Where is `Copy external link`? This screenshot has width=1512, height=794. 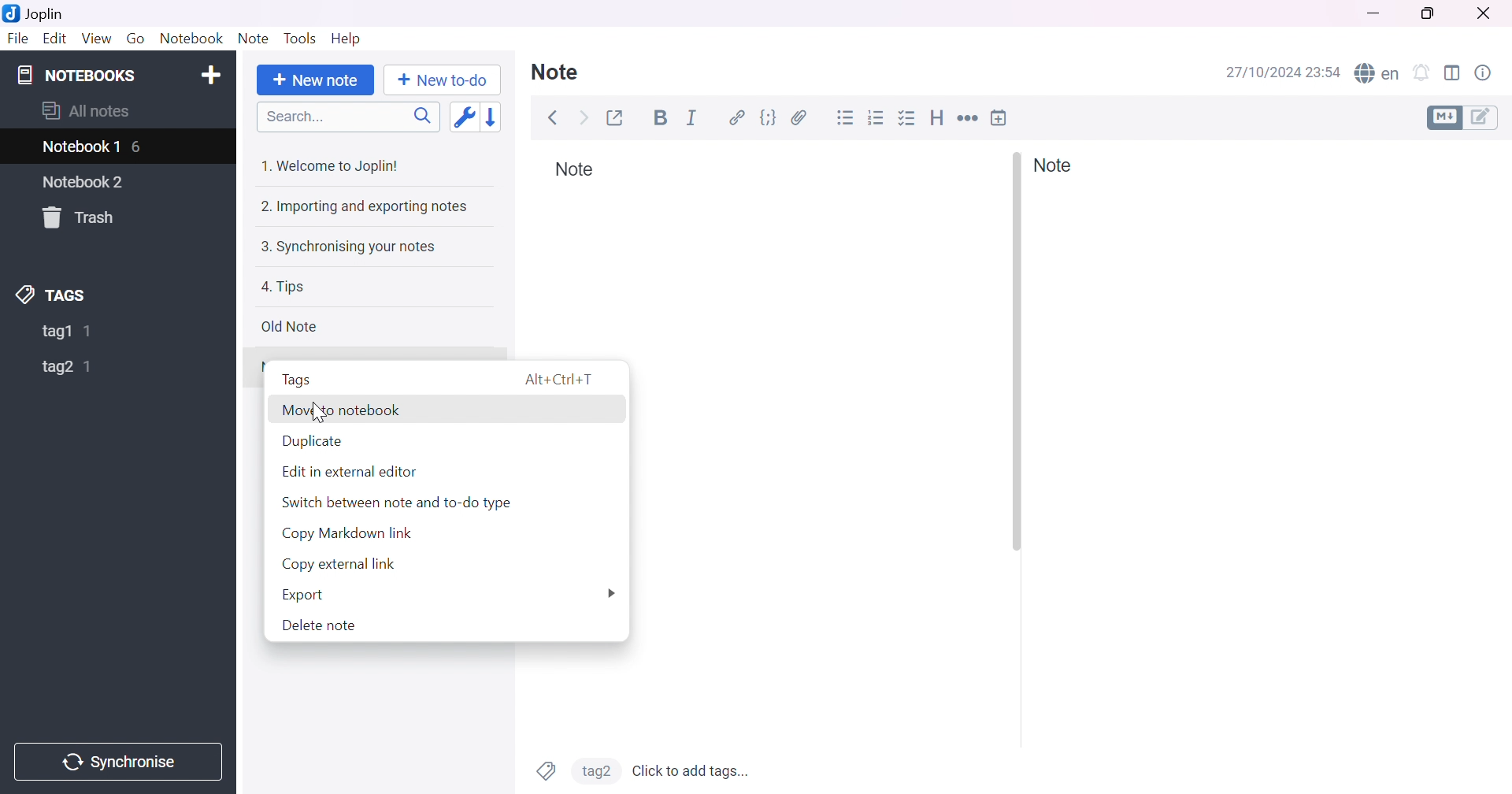
Copy external link is located at coordinates (338, 566).